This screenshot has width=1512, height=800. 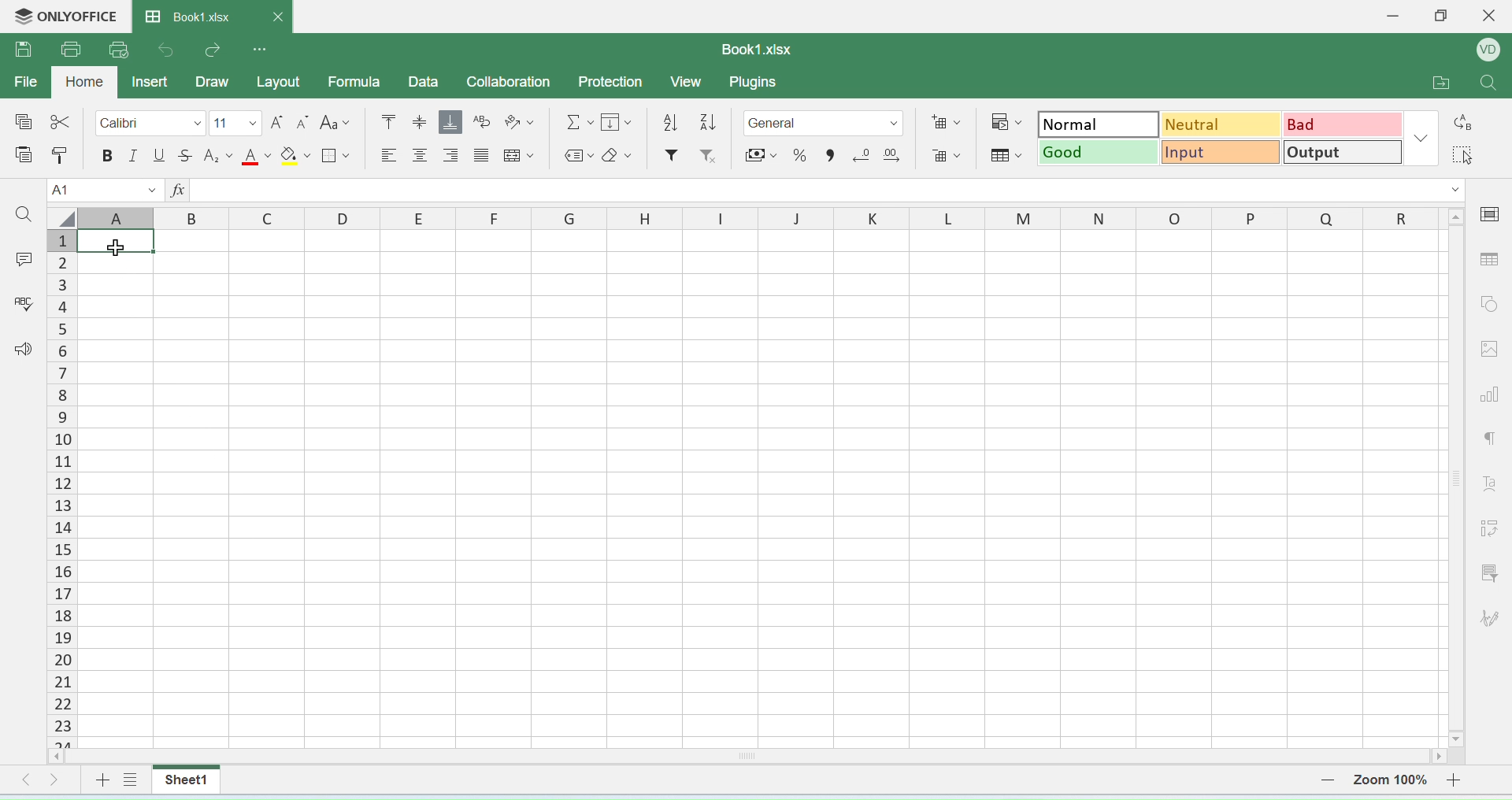 What do you see at coordinates (29, 84) in the screenshot?
I see `file` at bounding box center [29, 84].